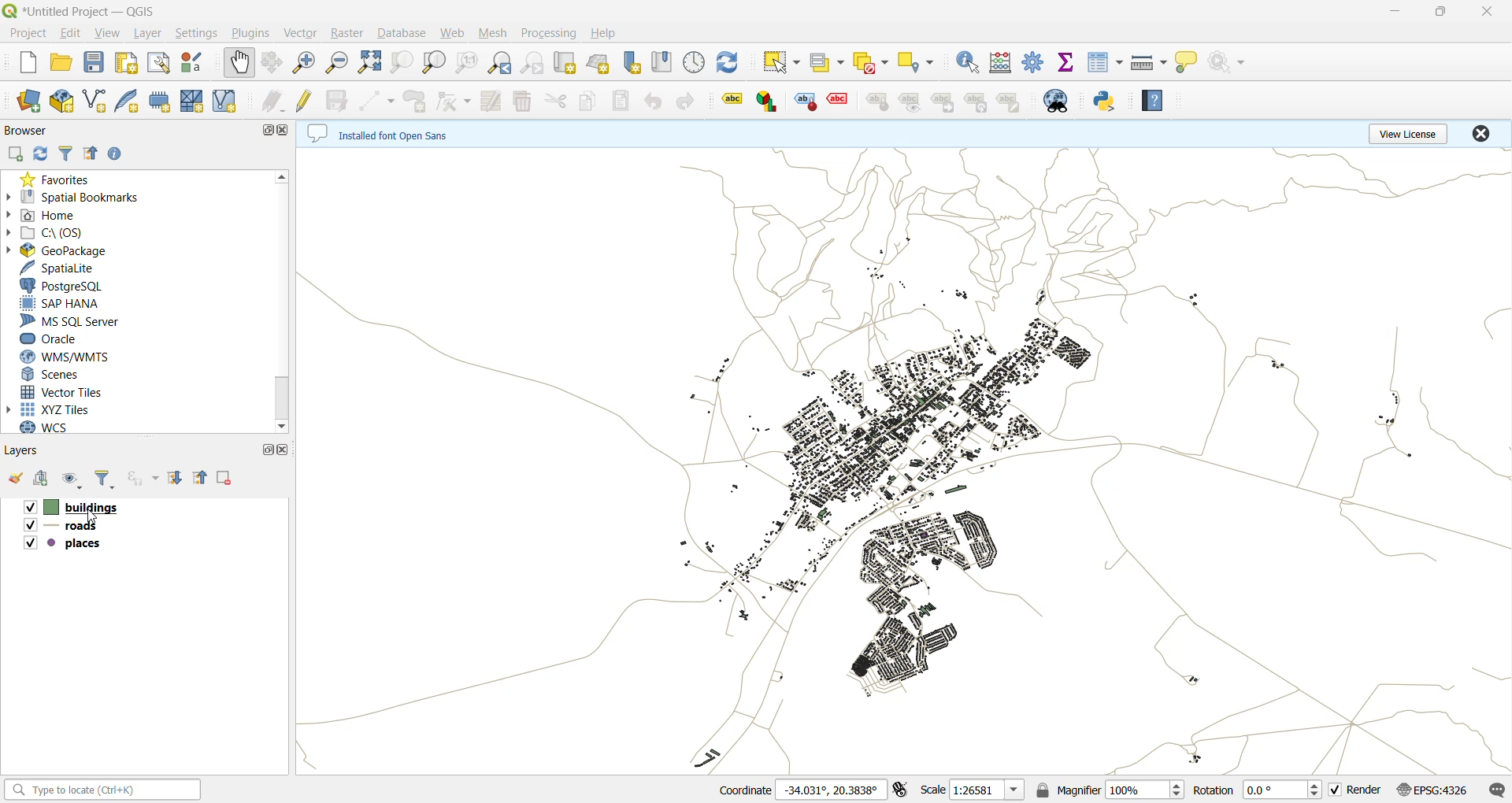  What do you see at coordinates (536, 66) in the screenshot?
I see `zoom next` at bounding box center [536, 66].